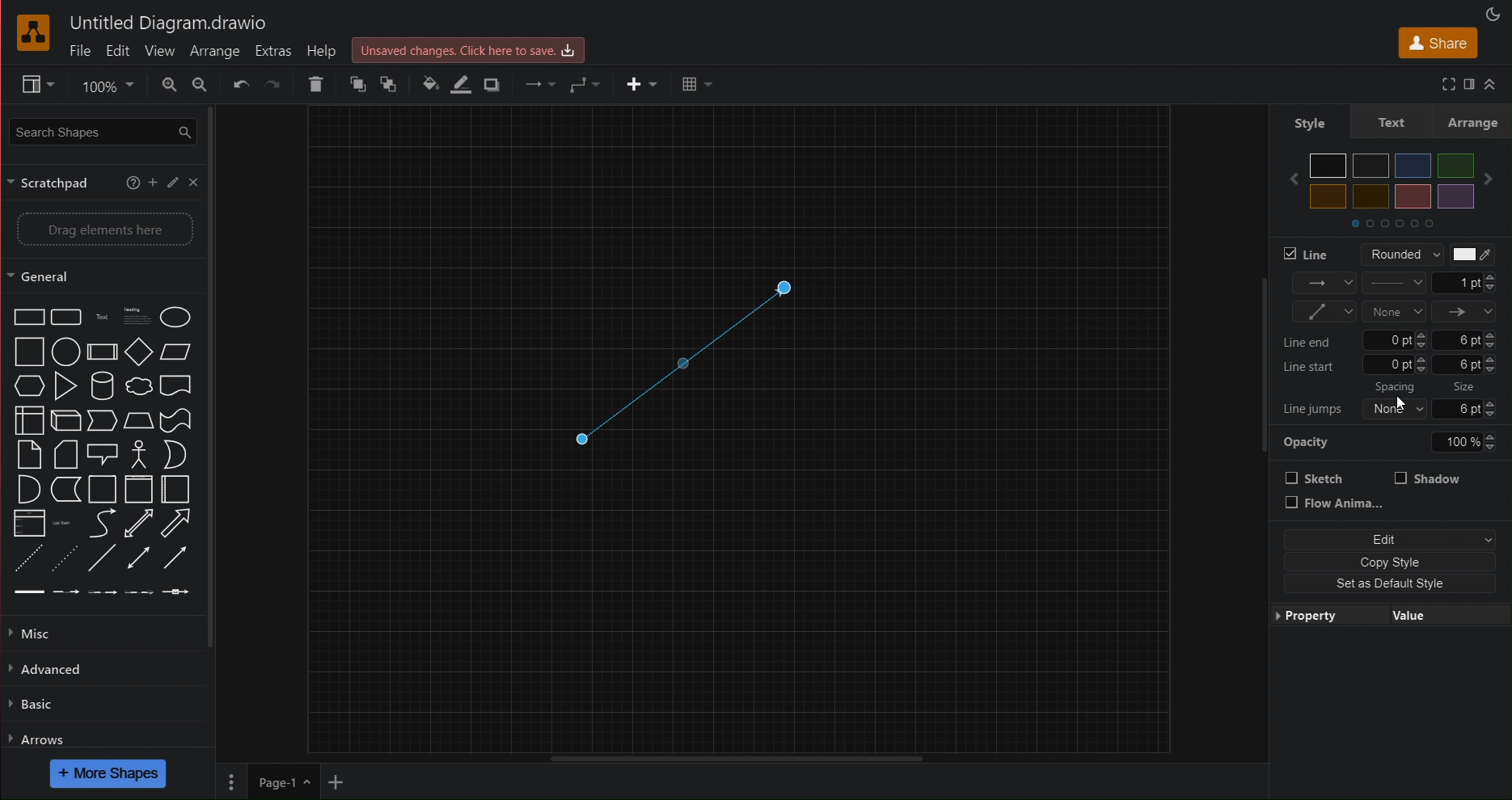 Image resolution: width=1512 pixels, height=800 pixels. What do you see at coordinates (1396, 443) in the screenshot?
I see `opacity` at bounding box center [1396, 443].